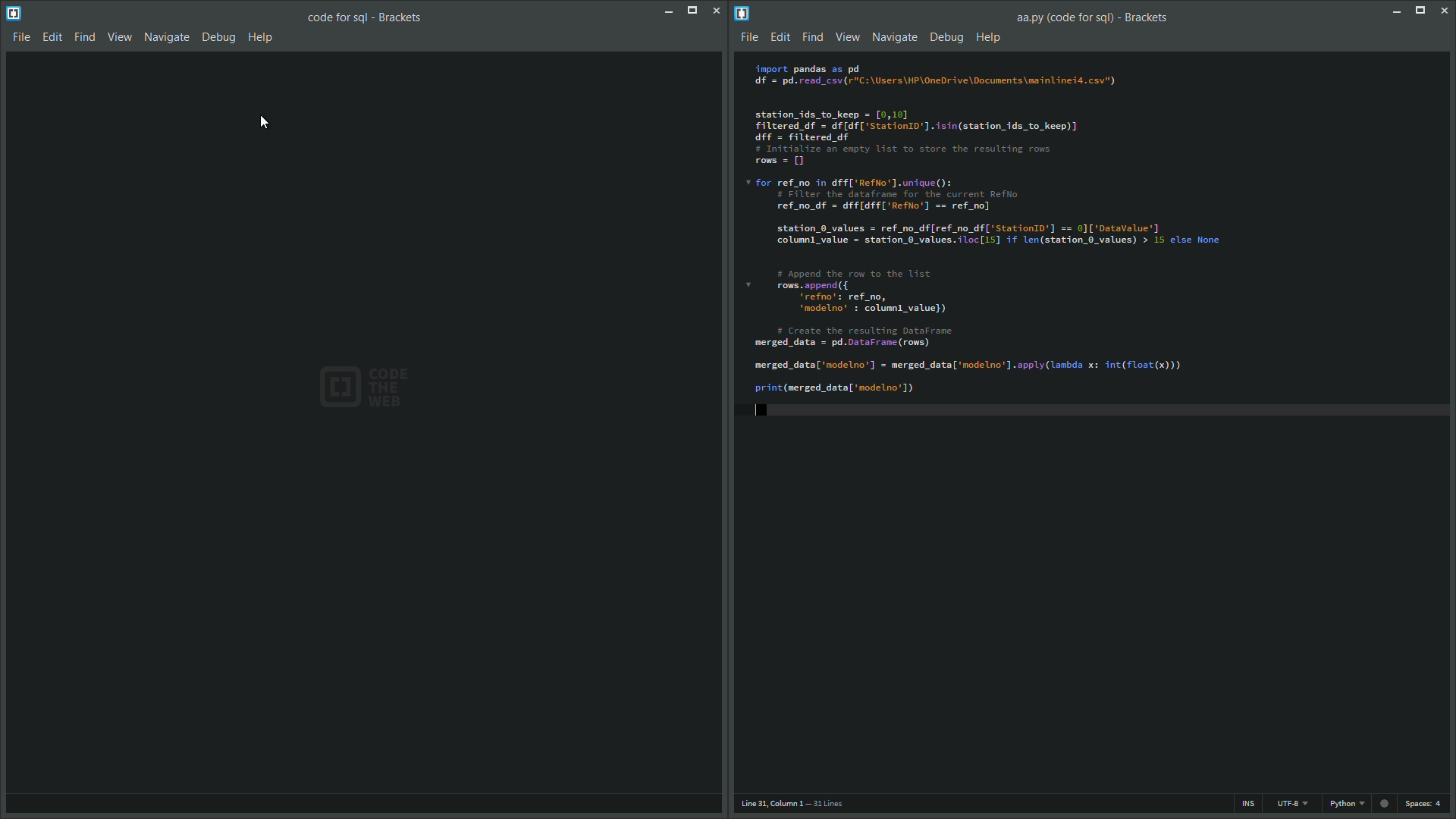 The height and width of the screenshot is (819, 1456). Describe the element at coordinates (19, 37) in the screenshot. I see `File` at that location.